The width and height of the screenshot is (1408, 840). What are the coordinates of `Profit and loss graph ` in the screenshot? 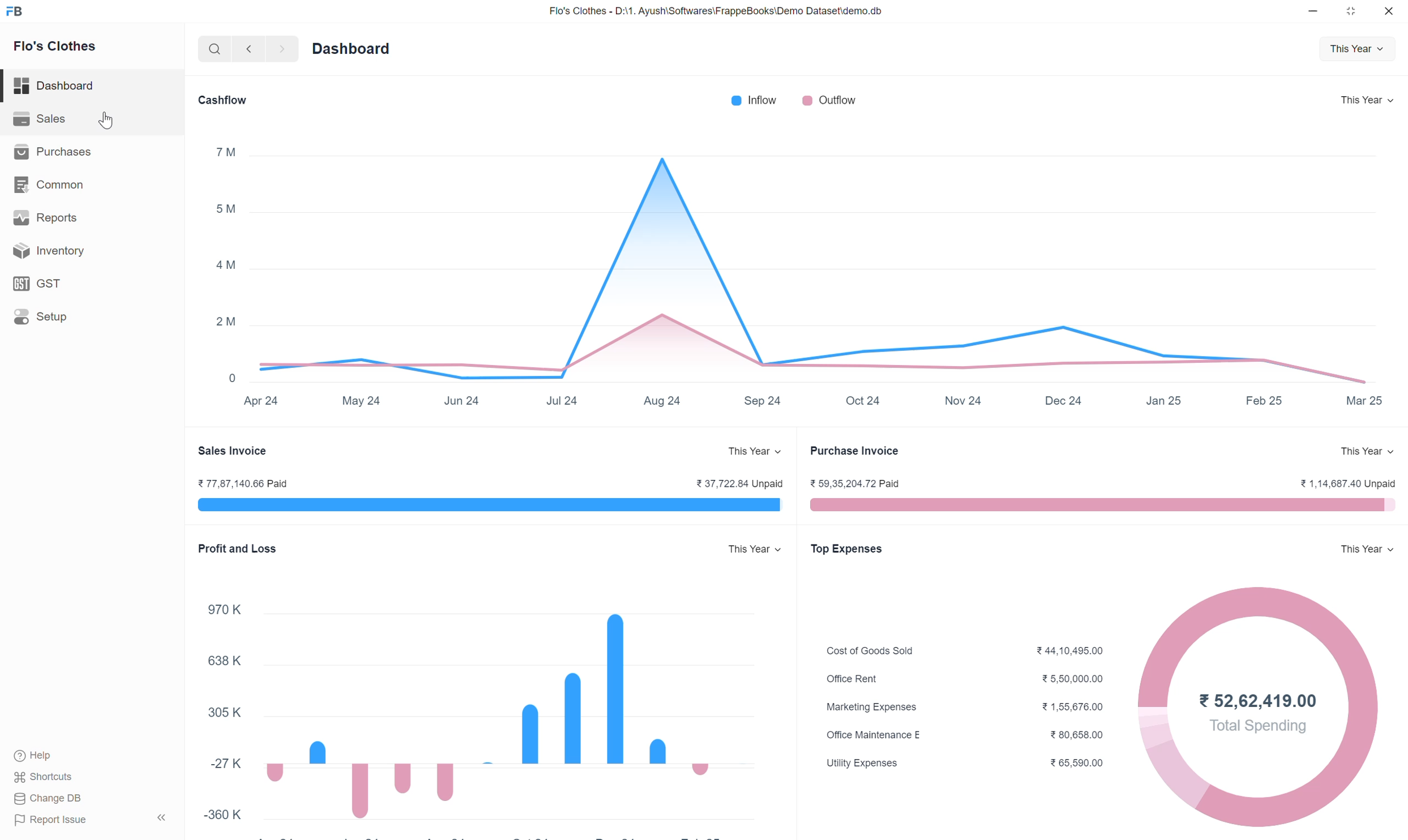 It's located at (482, 702).